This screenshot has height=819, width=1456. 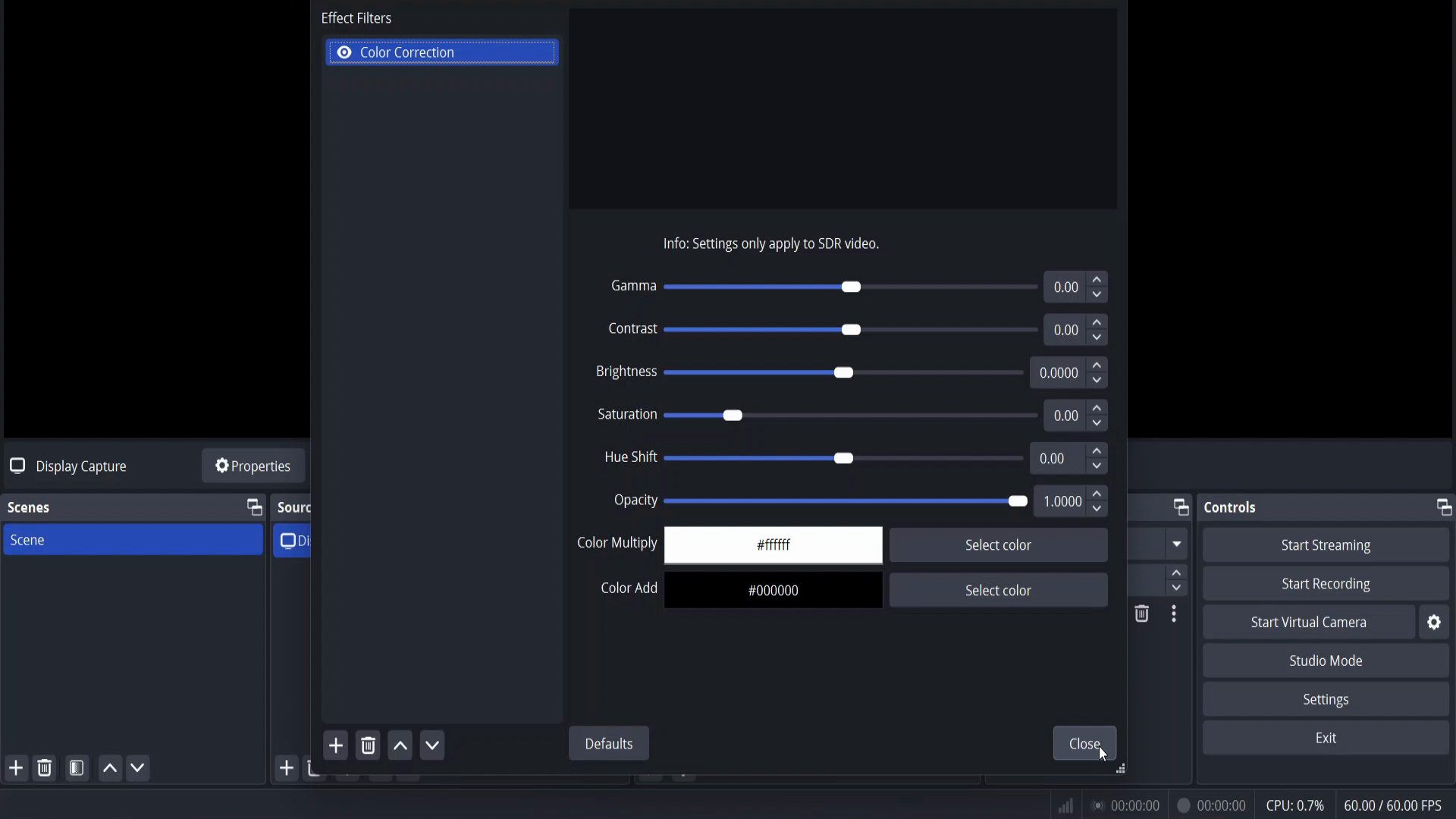 What do you see at coordinates (1104, 760) in the screenshot?
I see `cursor` at bounding box center [1104, 760].